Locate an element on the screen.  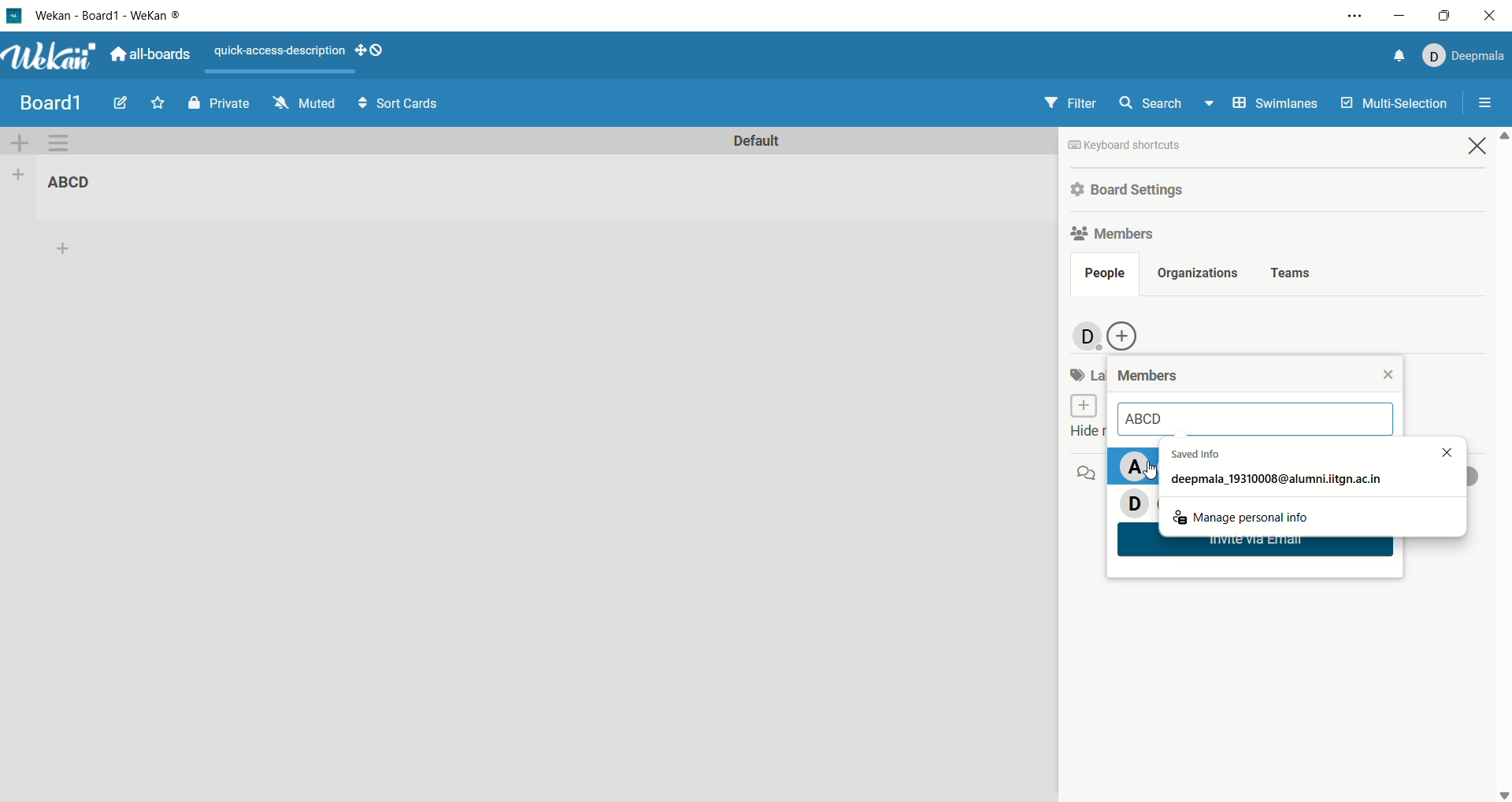
title is located at coordinates (50, 102).